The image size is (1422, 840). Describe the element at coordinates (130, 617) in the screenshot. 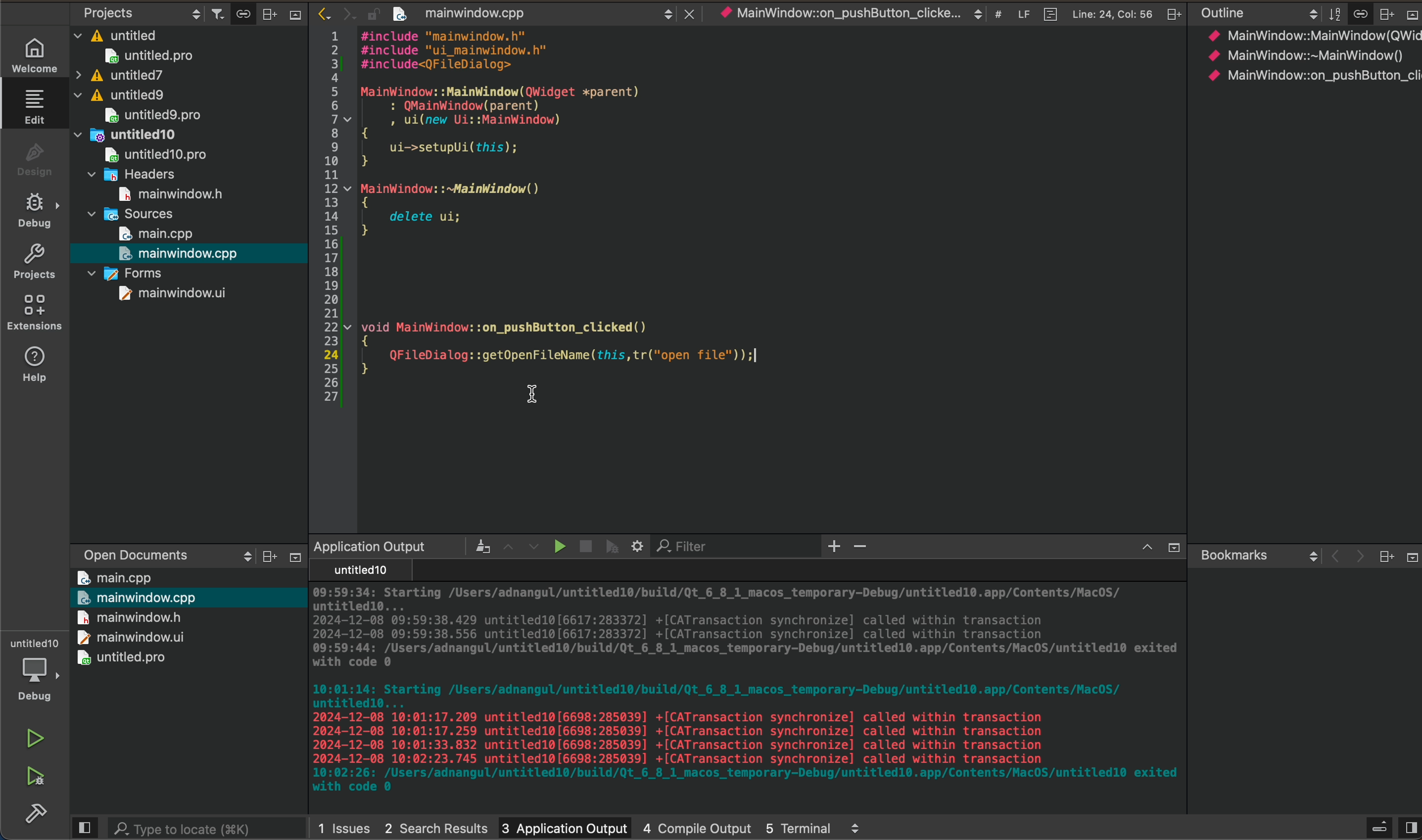

I see `mainwindow.h` at that location.